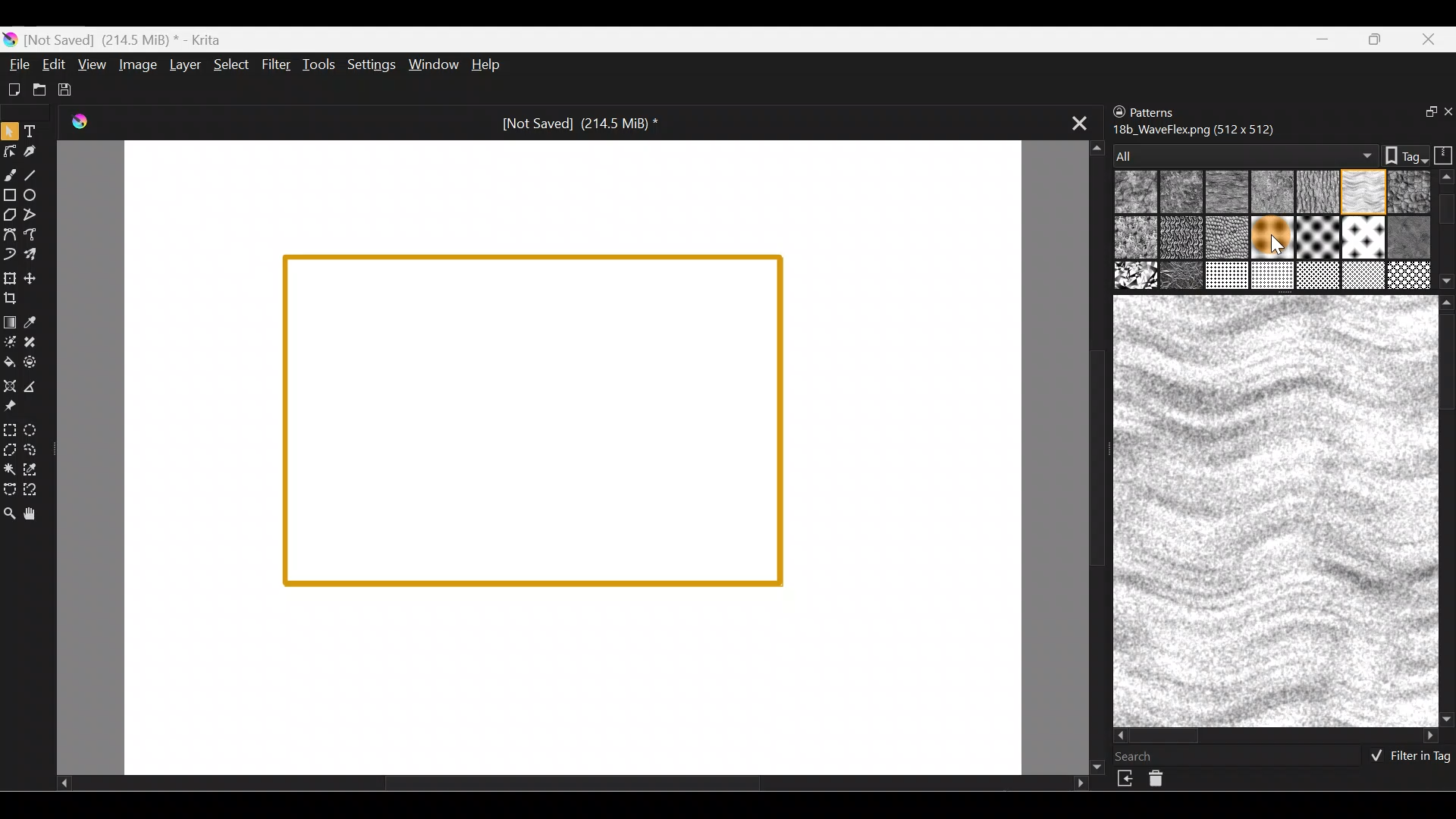 Image resolution: width=1456 pixels, height=819 pixels. I want to click on Float docker, so click(1421, 113).